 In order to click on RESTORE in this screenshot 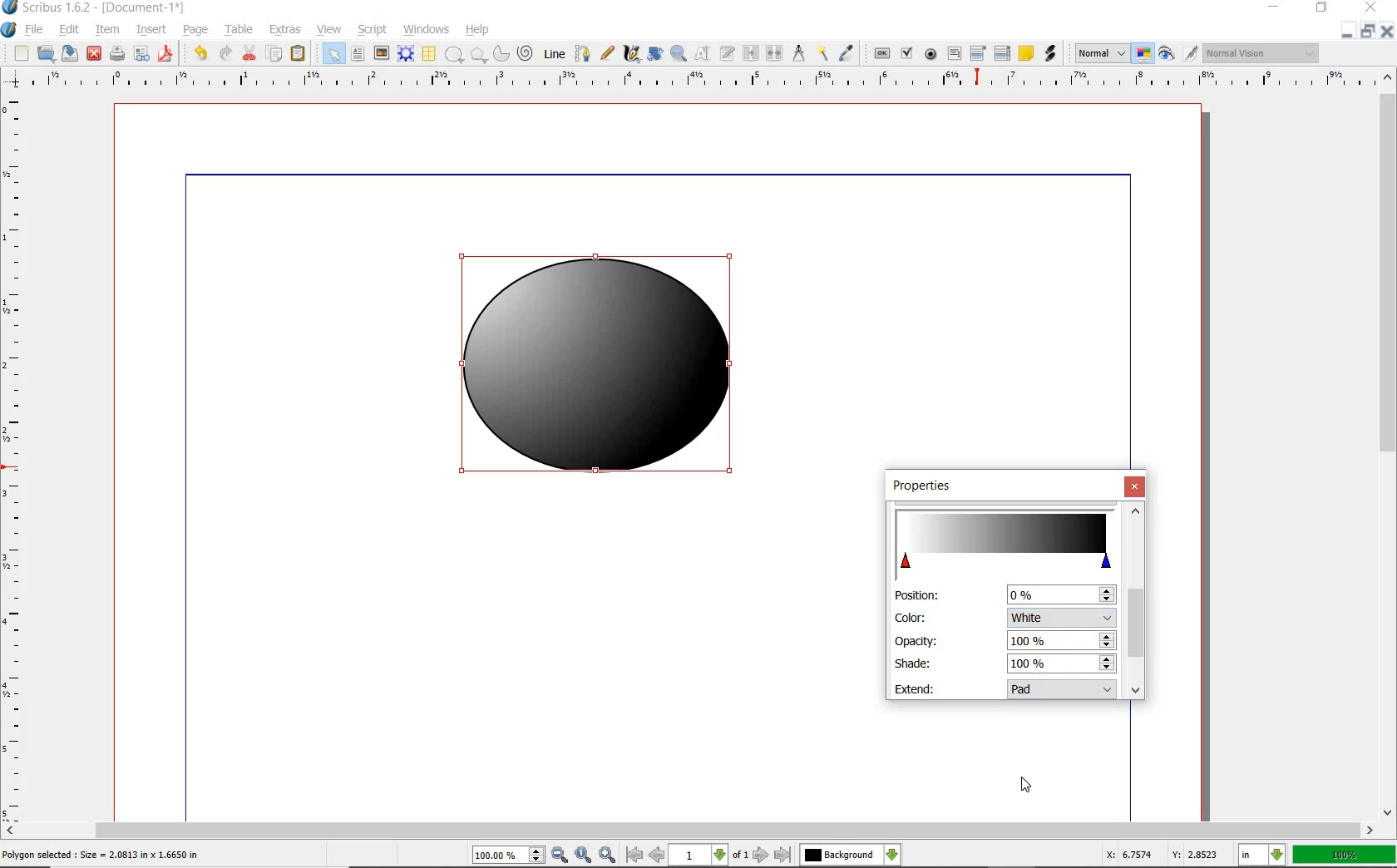, I will do `click(1368, 32)`.